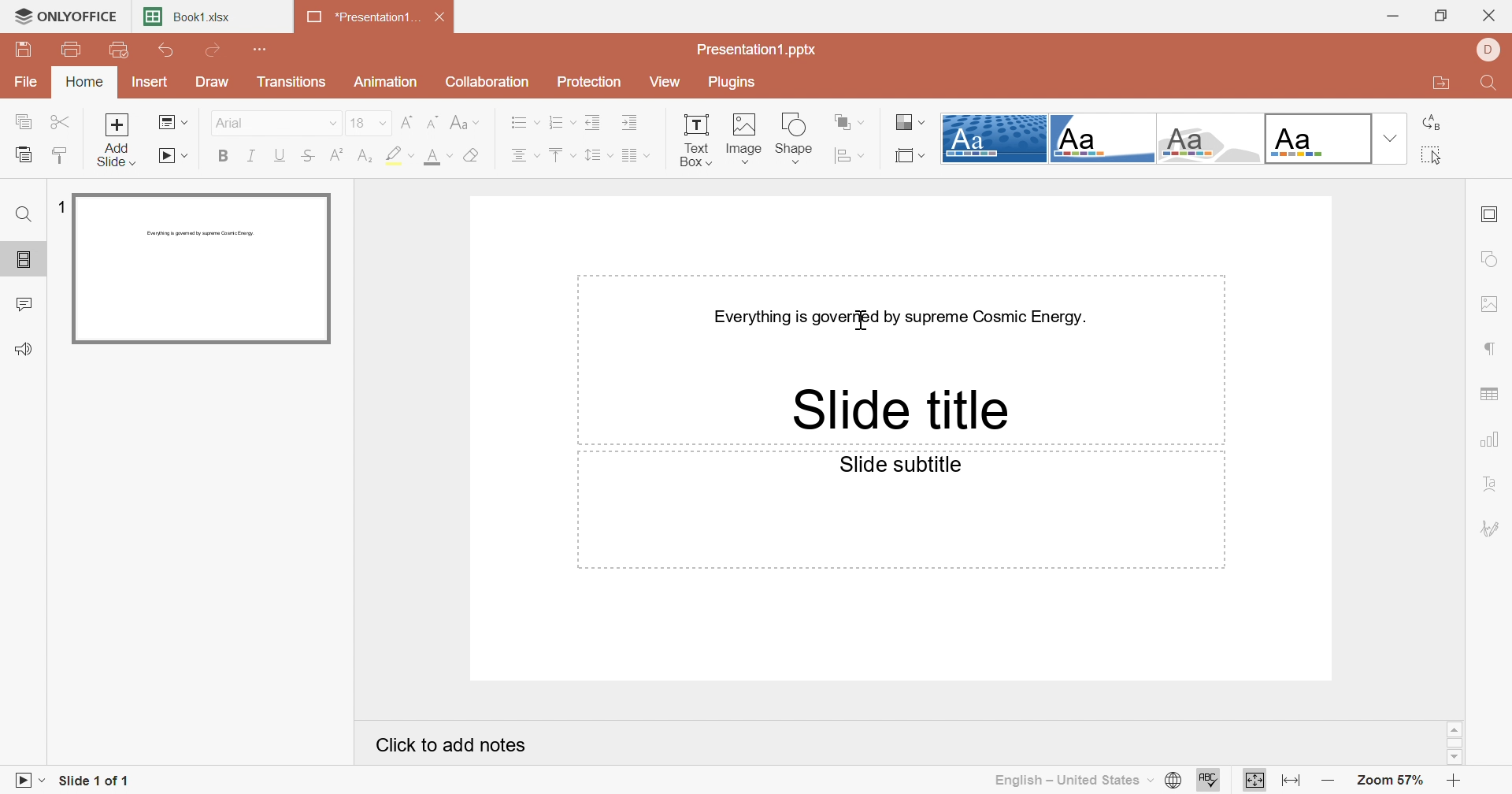  Describe the element at coordinates (1456, 781) in the screenshot. I see `Zoom in` at that location.